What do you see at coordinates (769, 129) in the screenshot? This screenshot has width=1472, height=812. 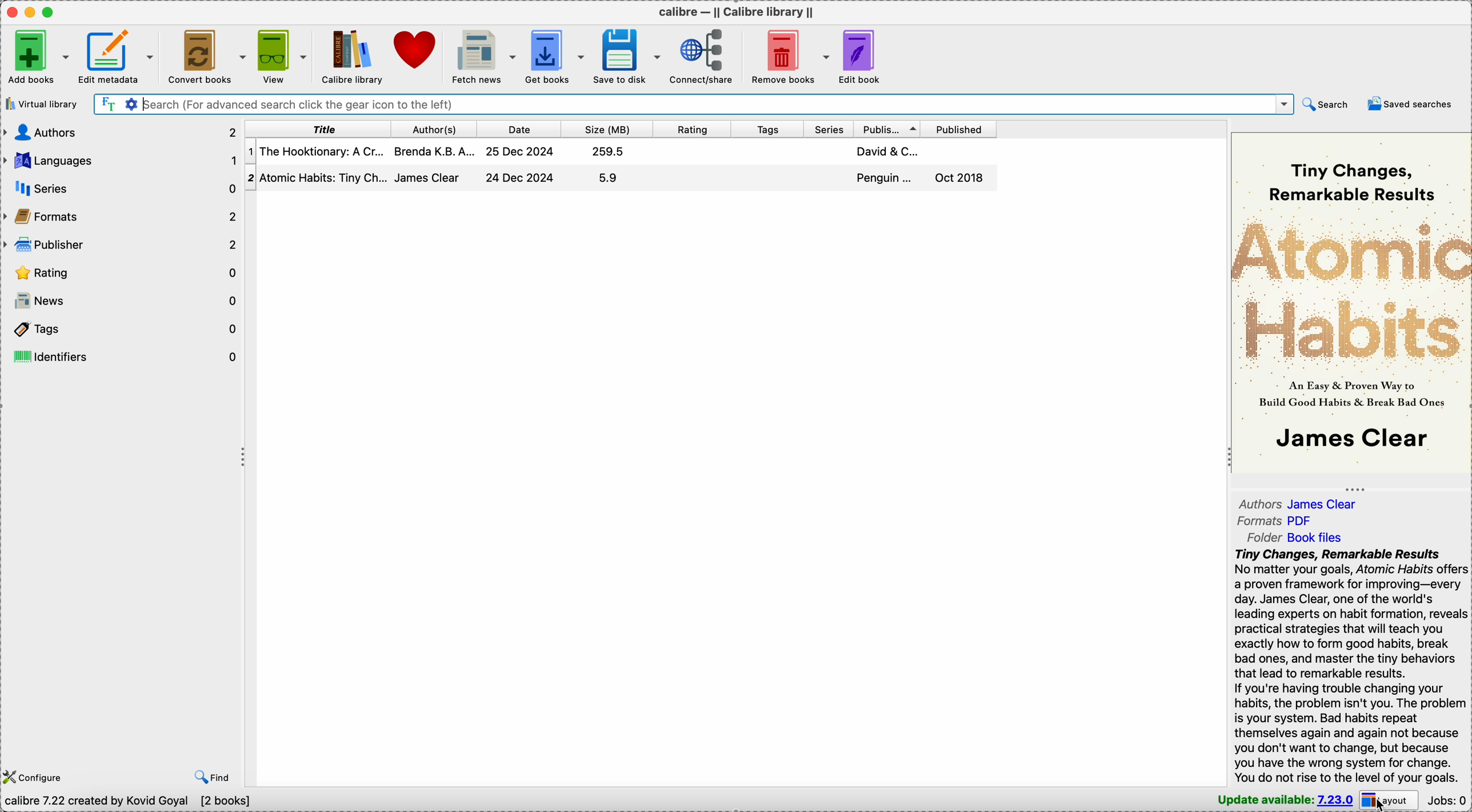 I see `tags` at bounding box center [769, 129].